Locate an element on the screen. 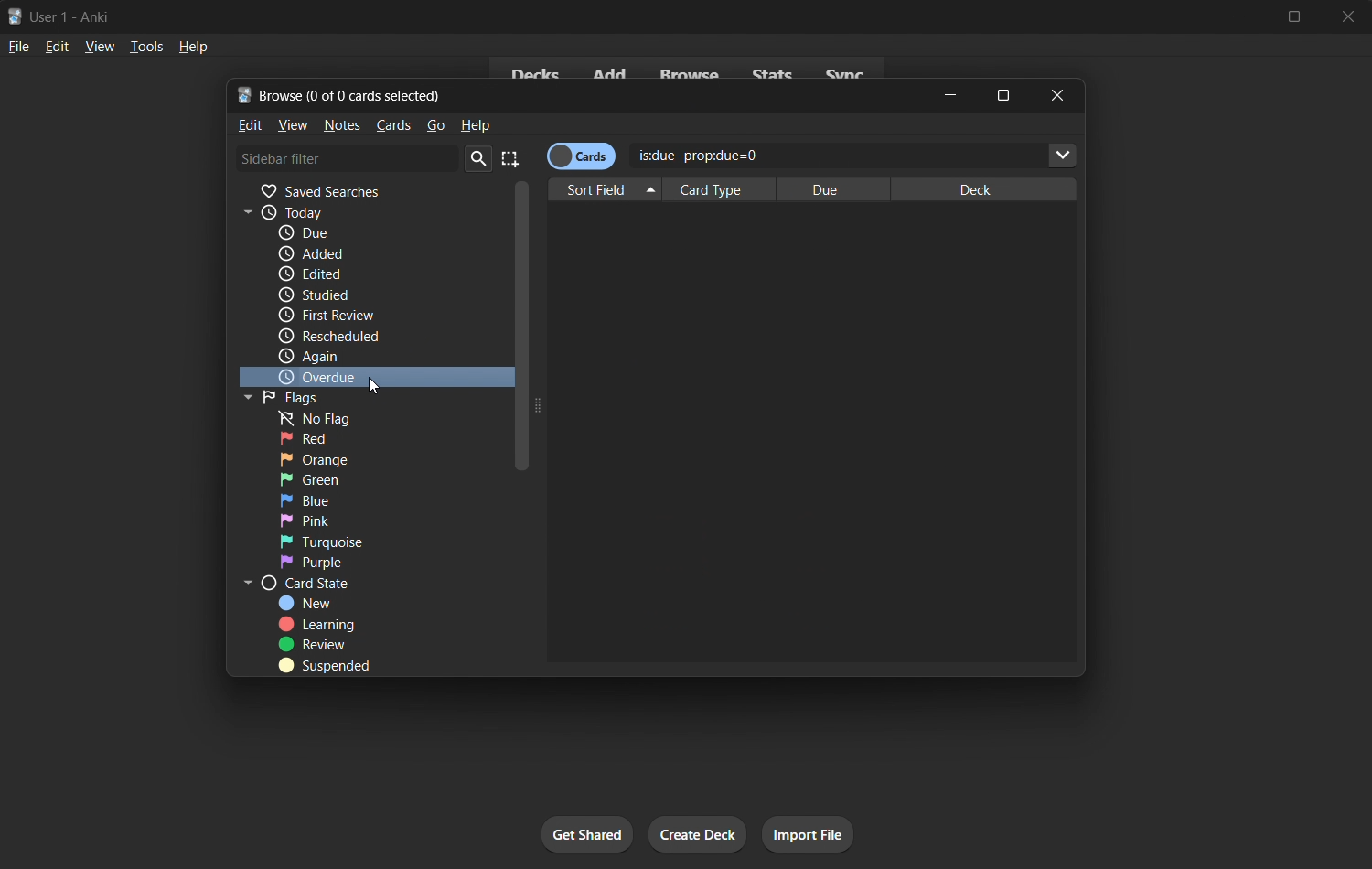 This screenshot has width=1372, height=869. decks is located at coordinates (533, 70).